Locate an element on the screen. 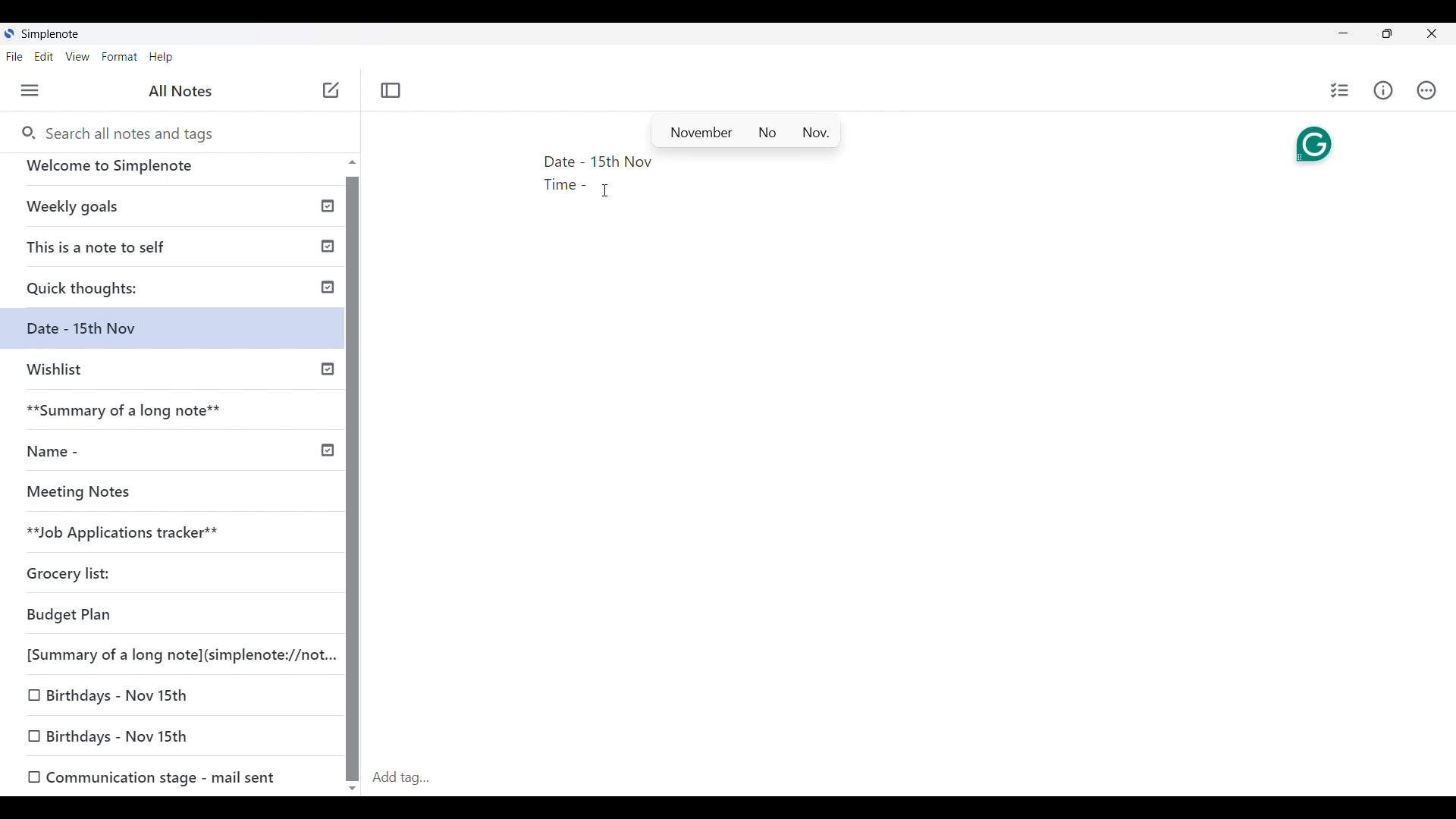 The height and width of the screenshot is (819, 1456). Grammarly extension is located at coordinates (1314, 146).